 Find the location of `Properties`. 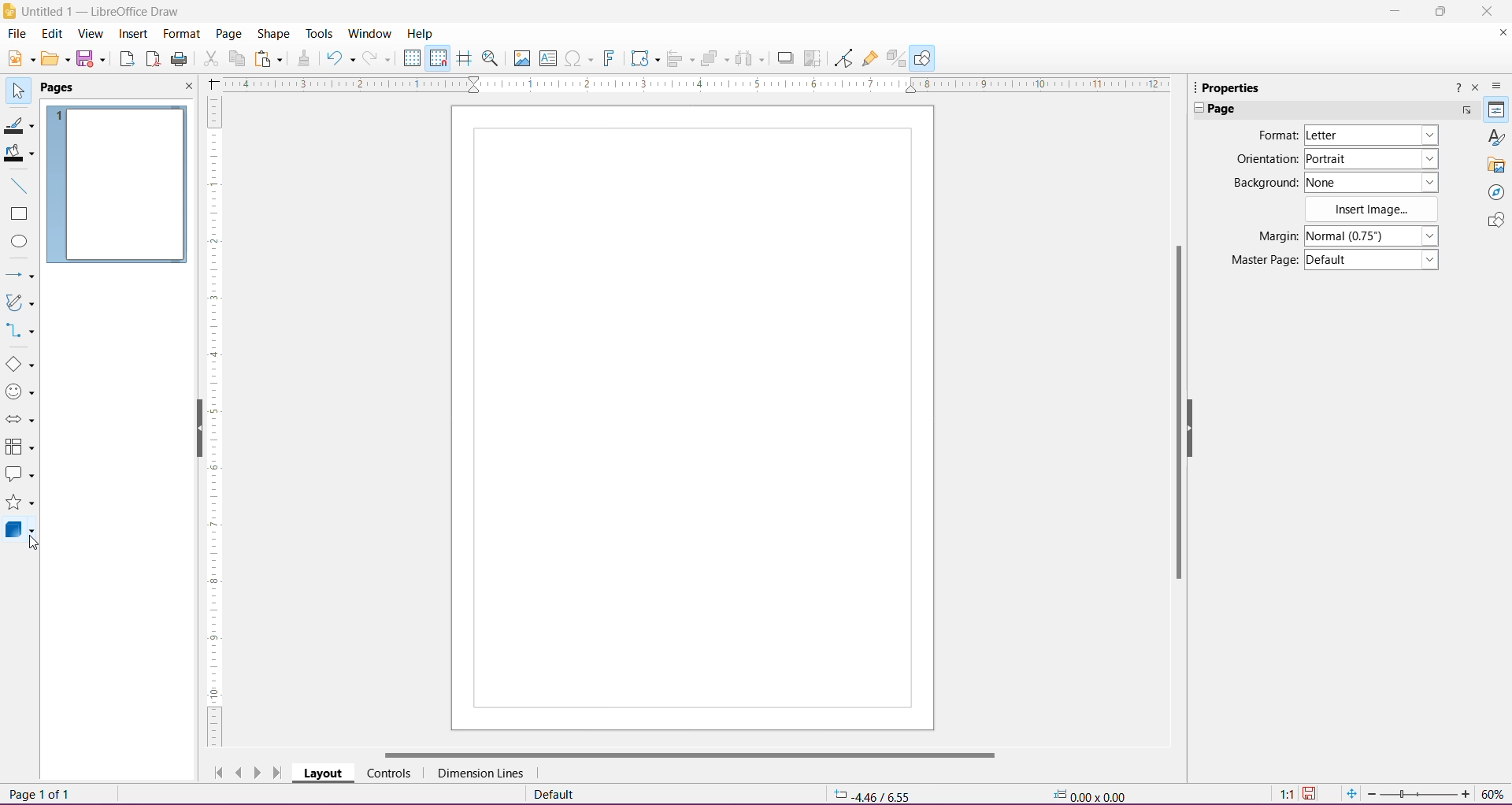

Properties is located at coordinates (1497, 109).